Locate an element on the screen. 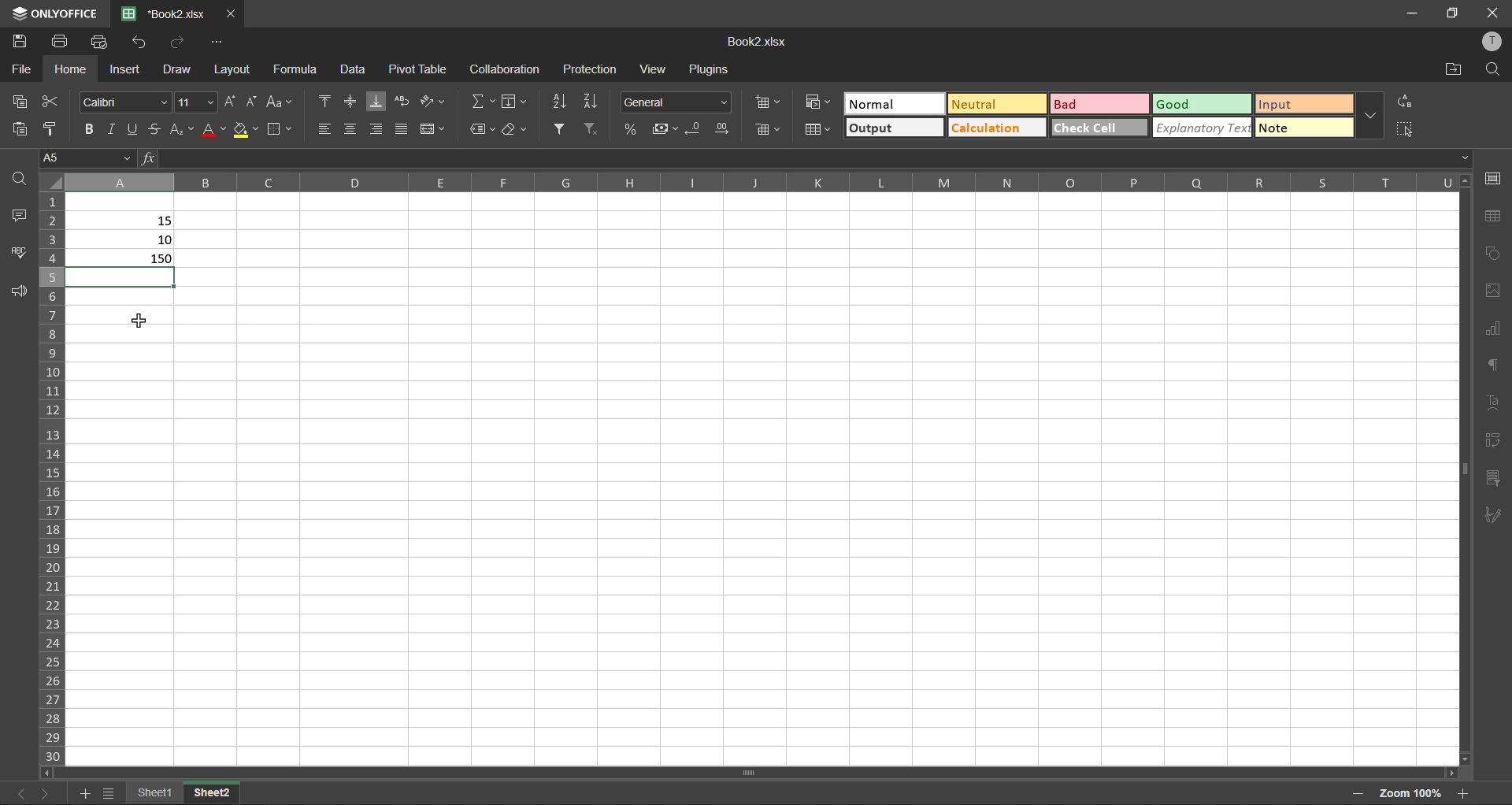 This screenshot has width=1512, height=805. comments is located at coordinates (22, 216).